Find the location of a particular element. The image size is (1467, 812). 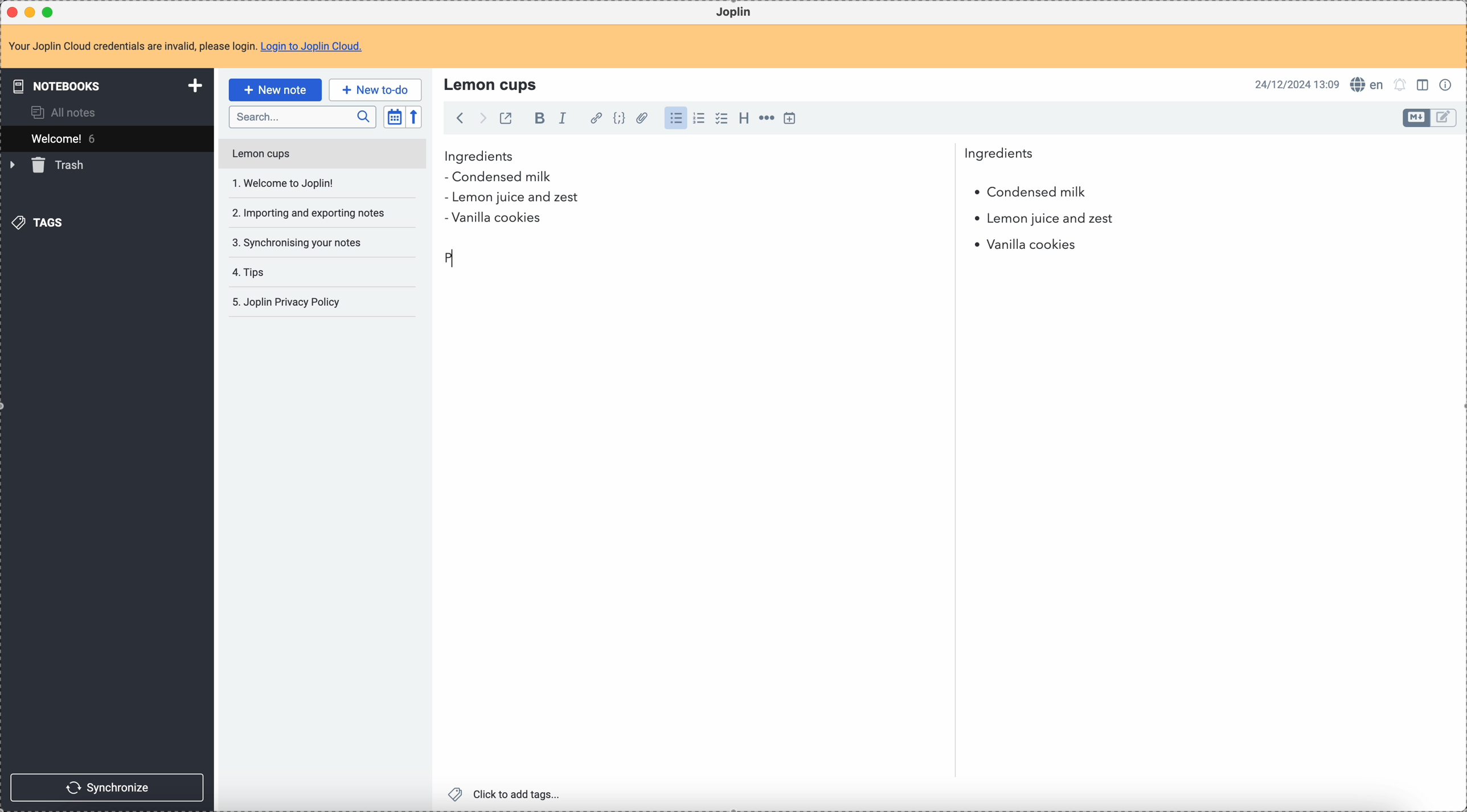

click on new note is located at coordinates (274, 88).